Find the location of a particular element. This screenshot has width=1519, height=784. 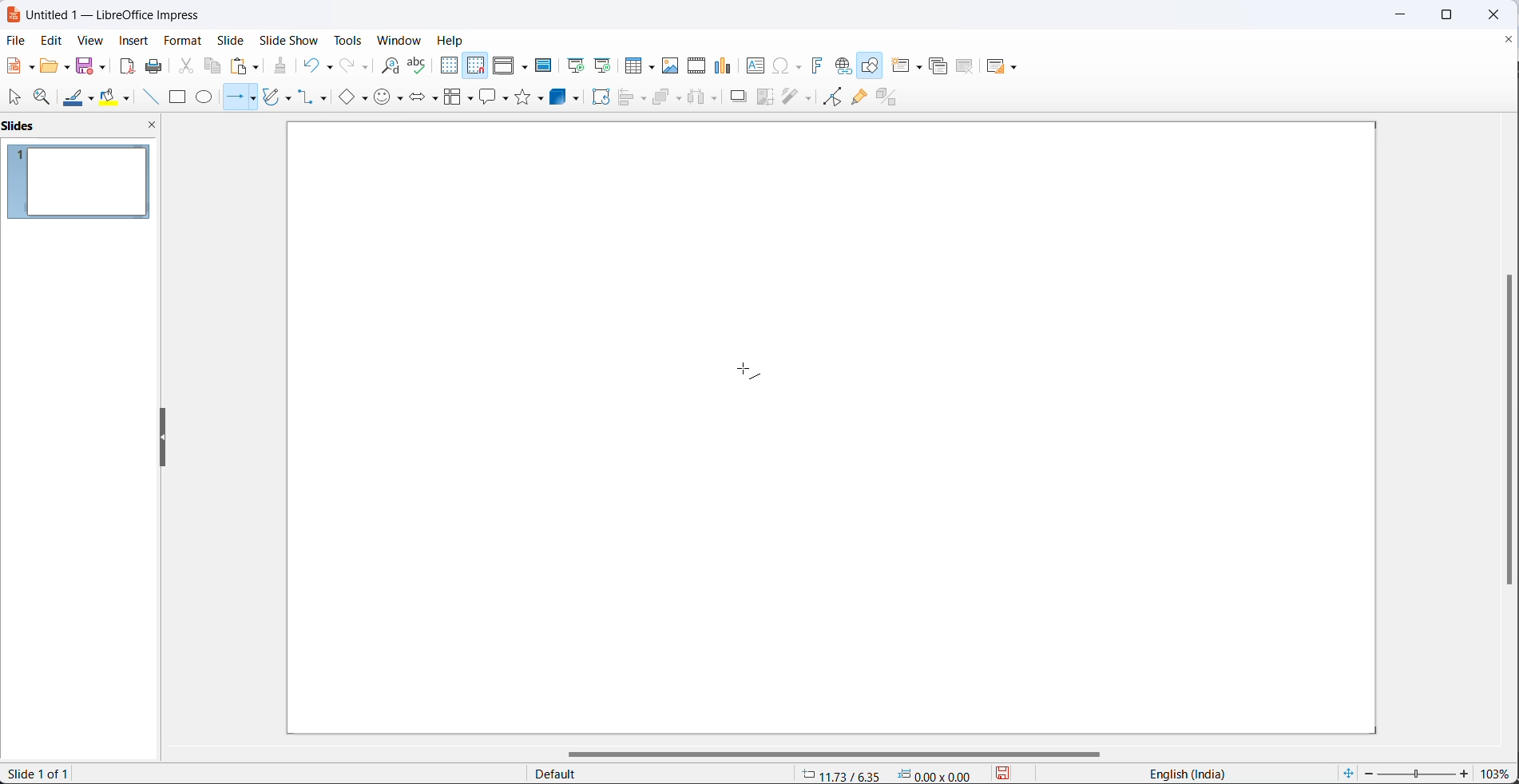

close document is located at coordinates (1509, 38).